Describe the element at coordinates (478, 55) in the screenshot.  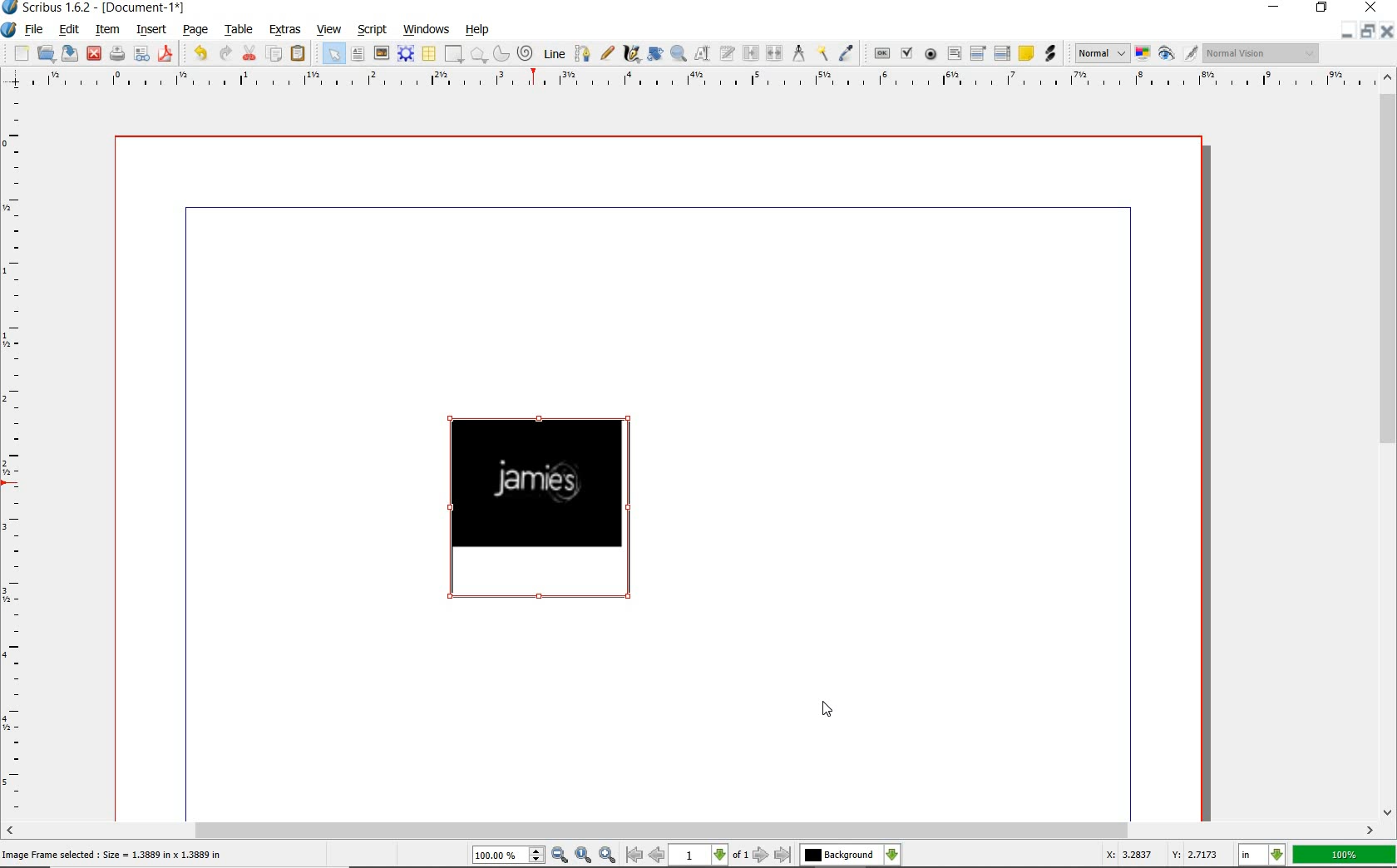
I see `POLYGON` at that location.